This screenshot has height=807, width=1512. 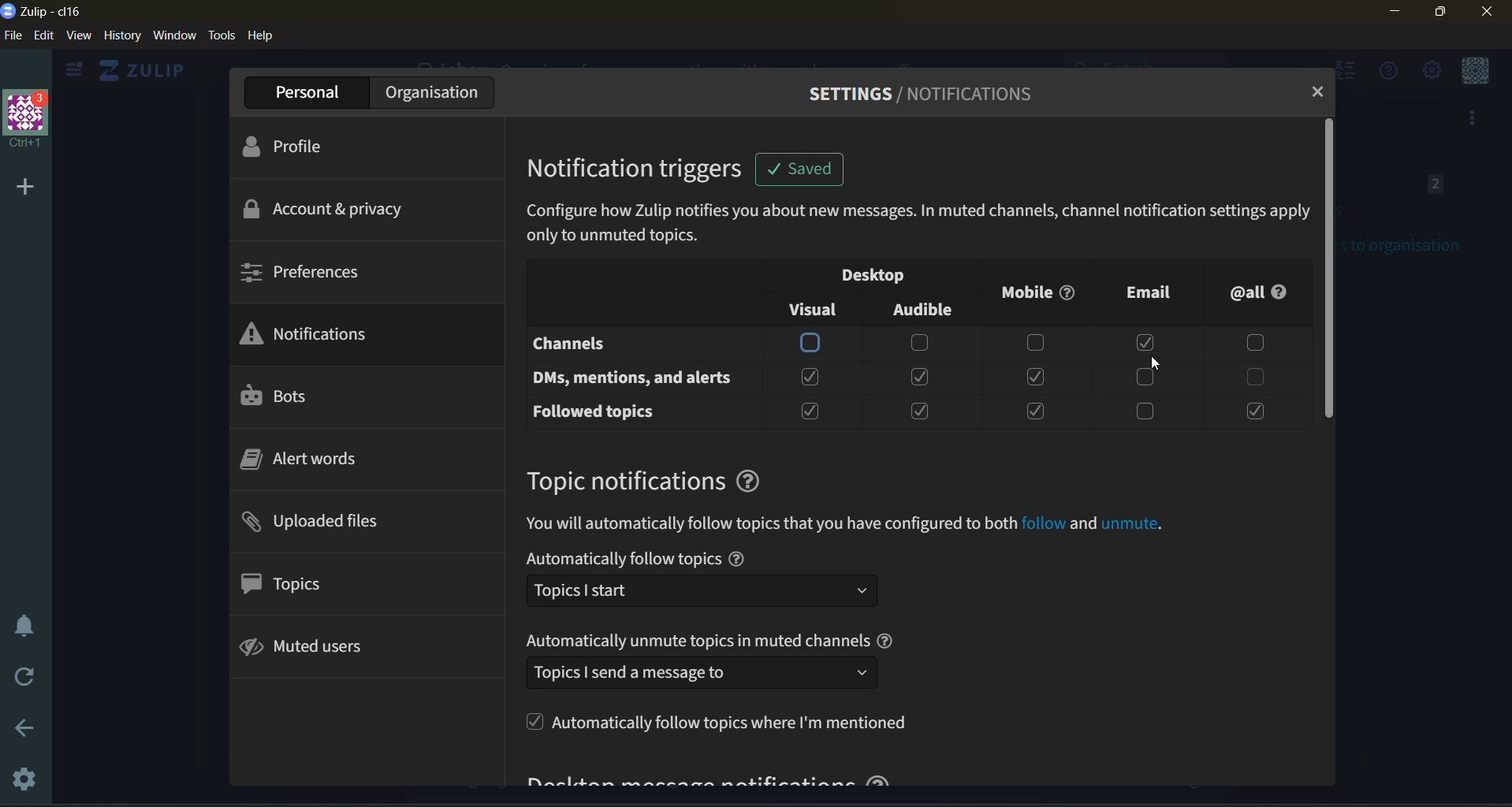 I want to click on and, so click(x=1082, y=524).